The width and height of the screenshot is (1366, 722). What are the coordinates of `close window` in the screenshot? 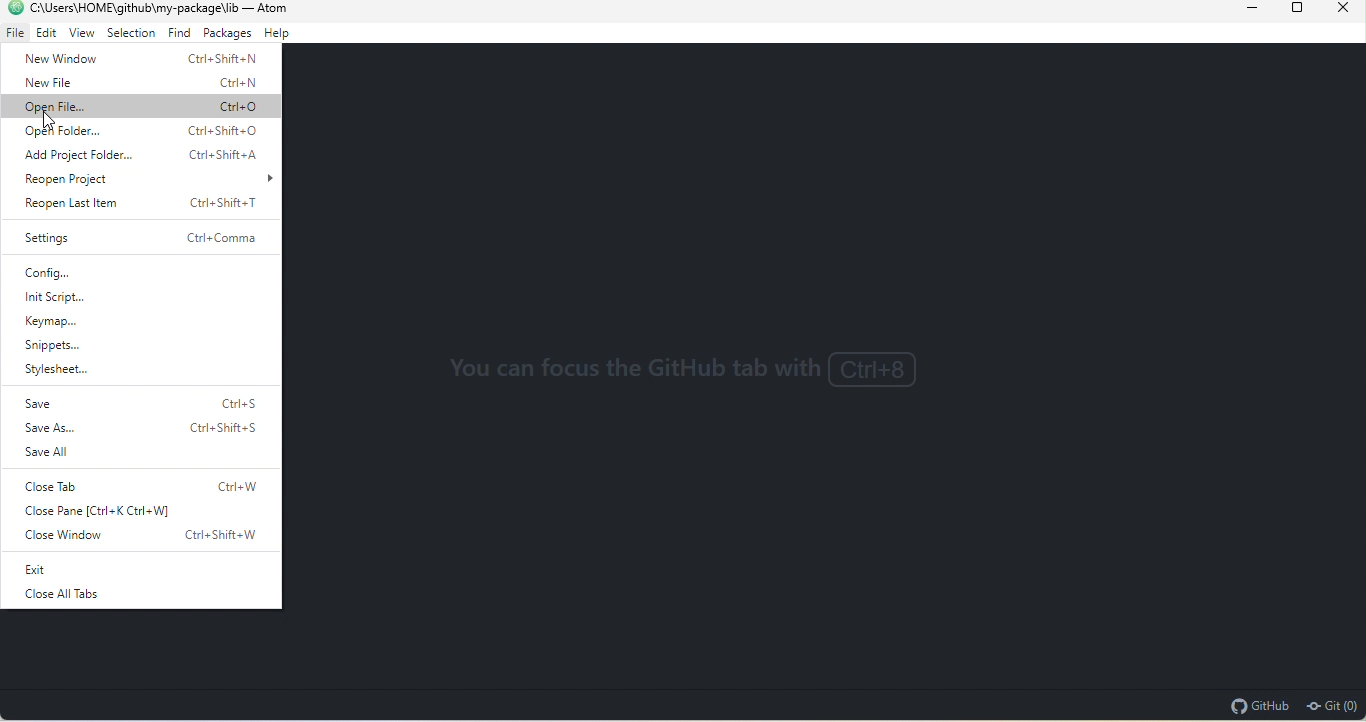 It's located at (146, 539).